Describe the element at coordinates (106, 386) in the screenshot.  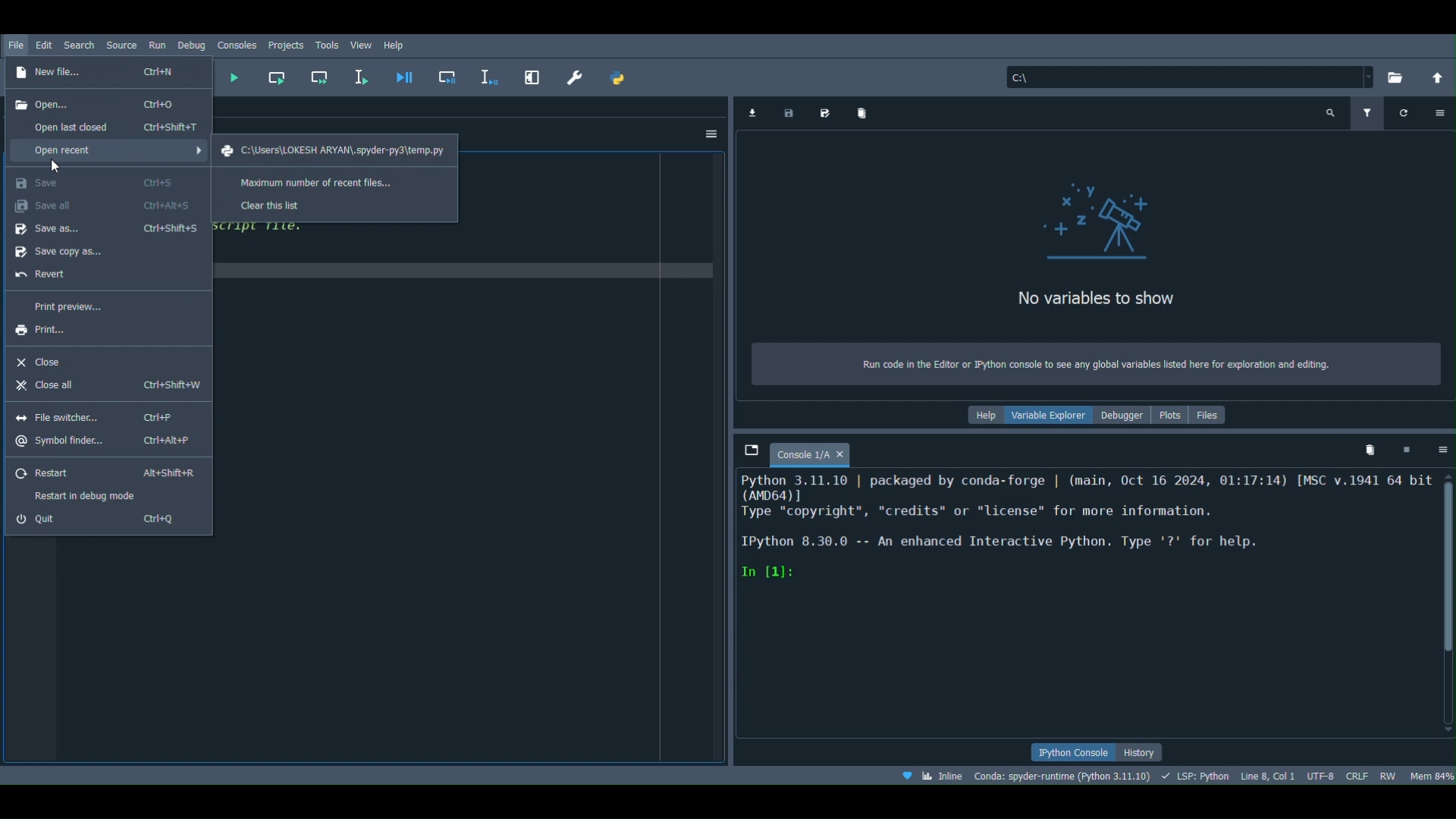
I see `Close all` at that location.